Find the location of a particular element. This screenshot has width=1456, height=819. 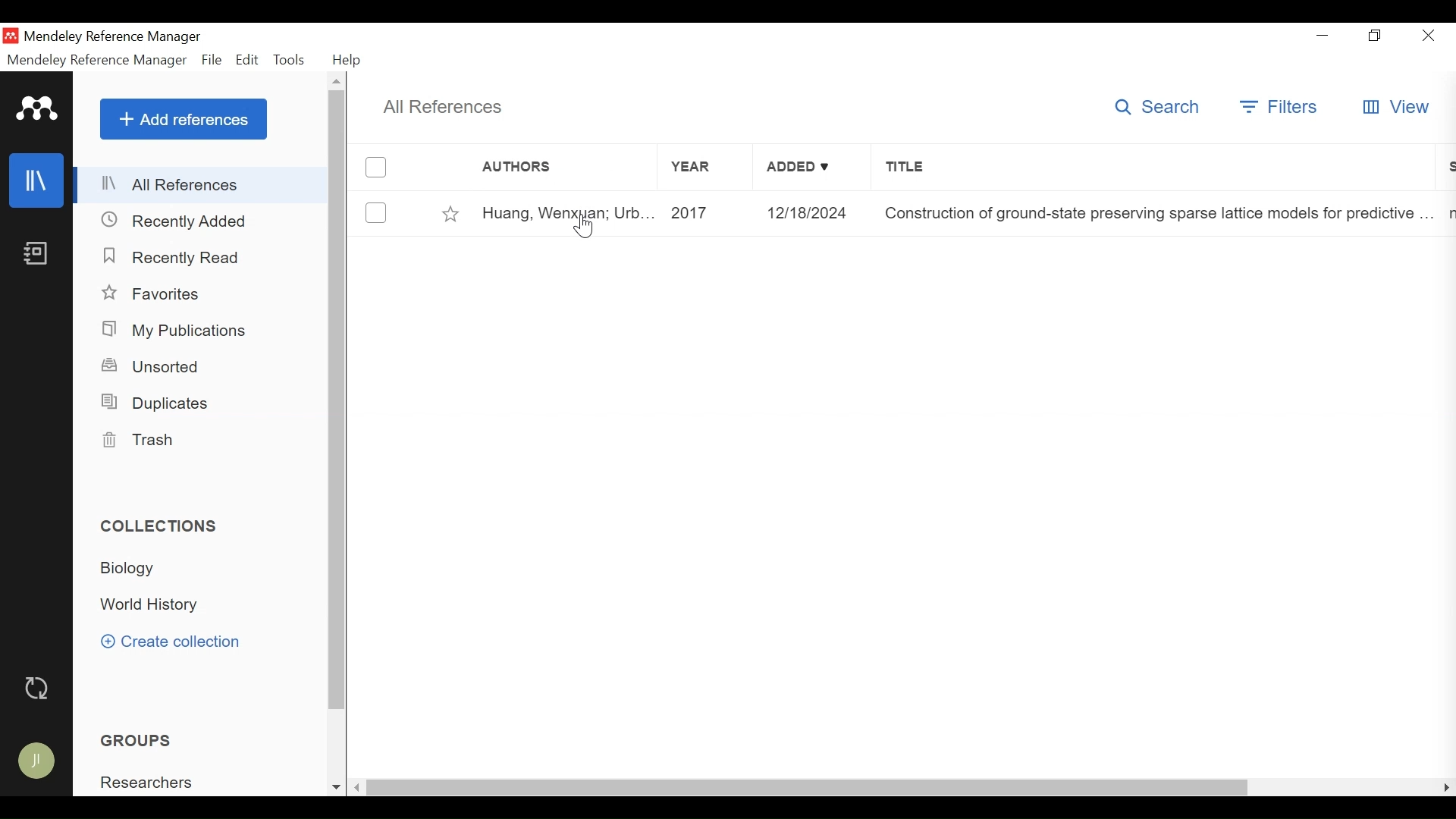

(un)select is located at coordinates (375, 212).